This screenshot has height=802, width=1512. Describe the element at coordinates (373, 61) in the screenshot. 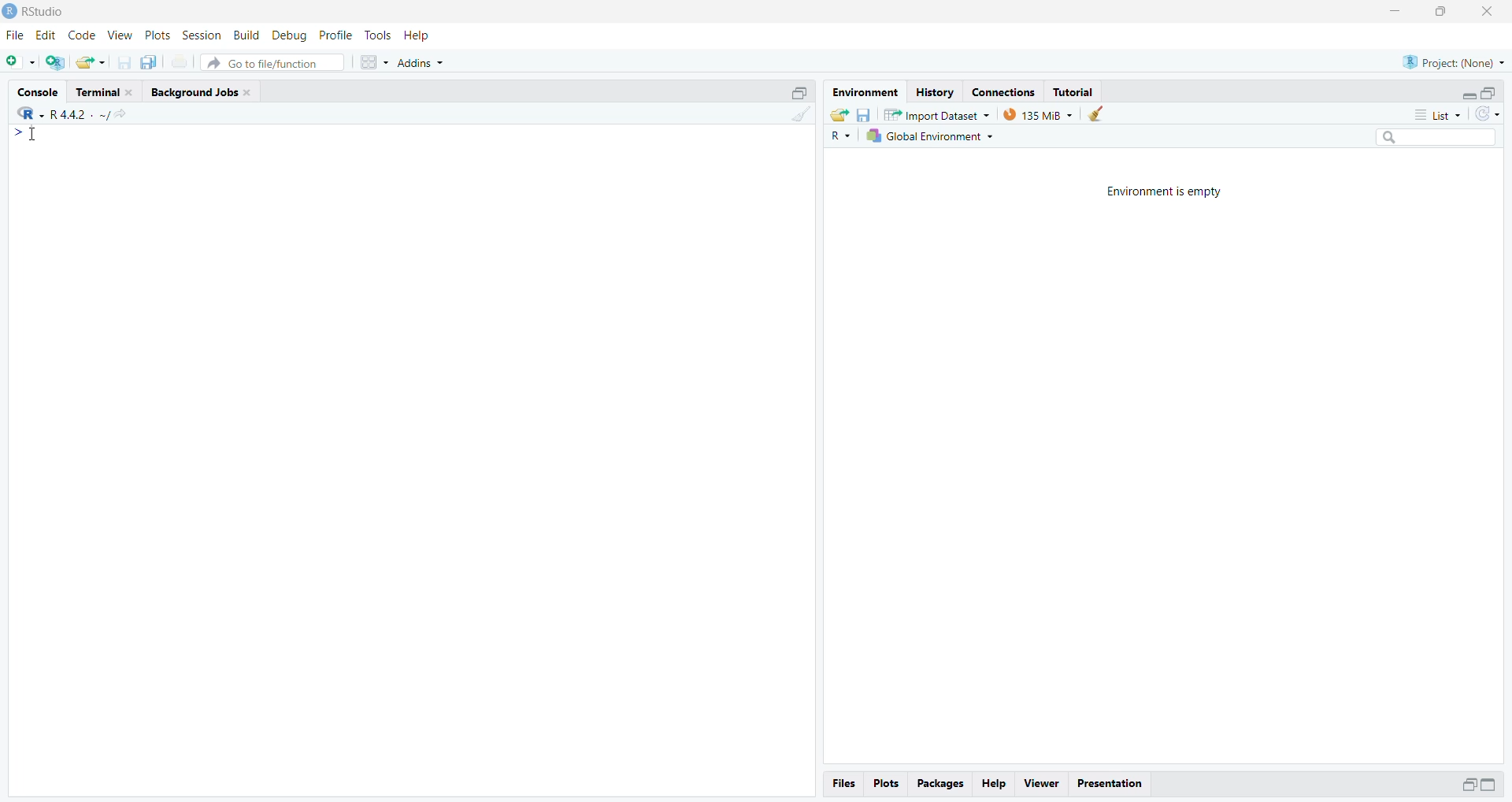

I see `Workspace panes` at that location.